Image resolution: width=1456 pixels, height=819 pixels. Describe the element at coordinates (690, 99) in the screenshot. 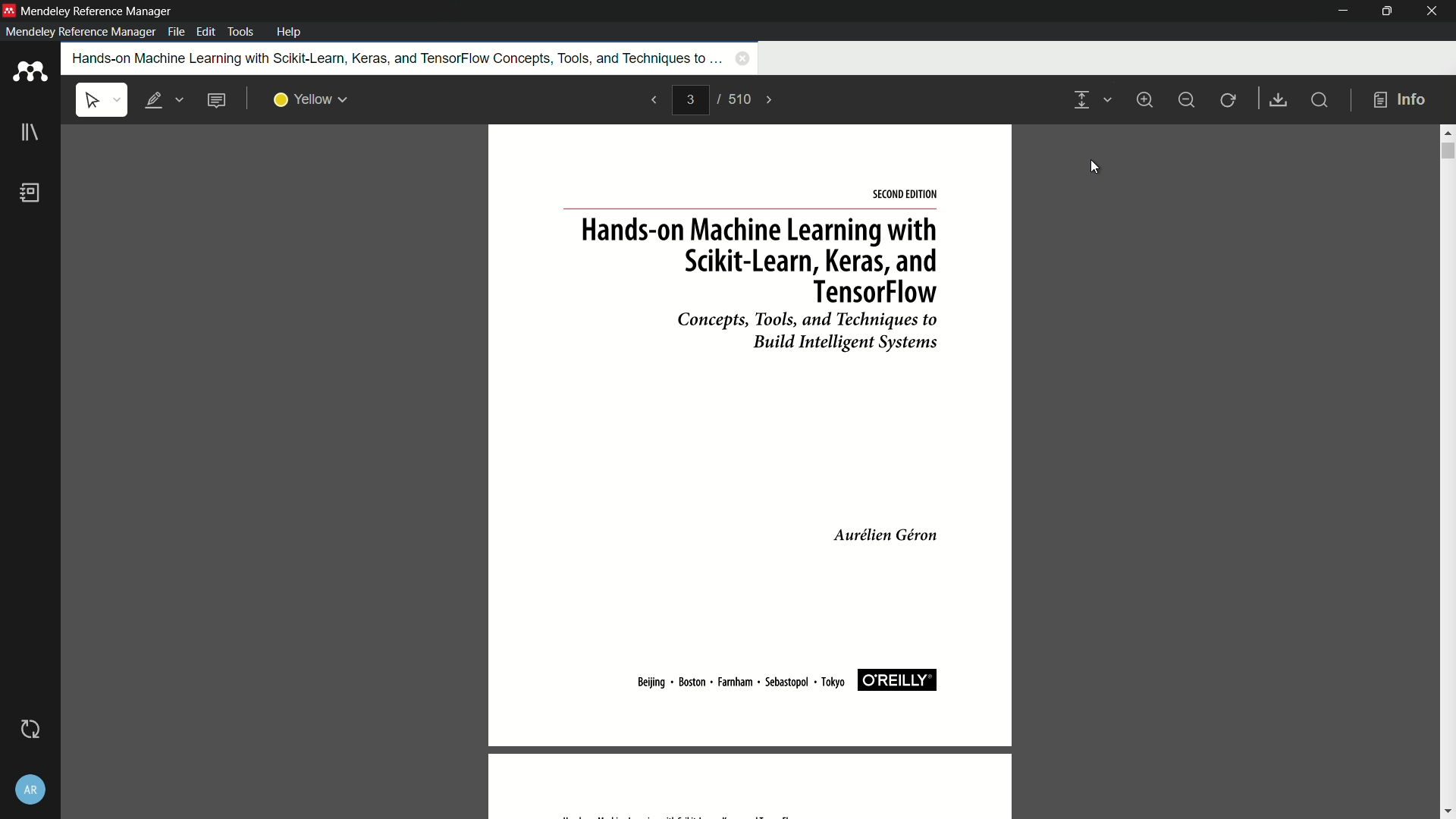

I see `current page` at that location.